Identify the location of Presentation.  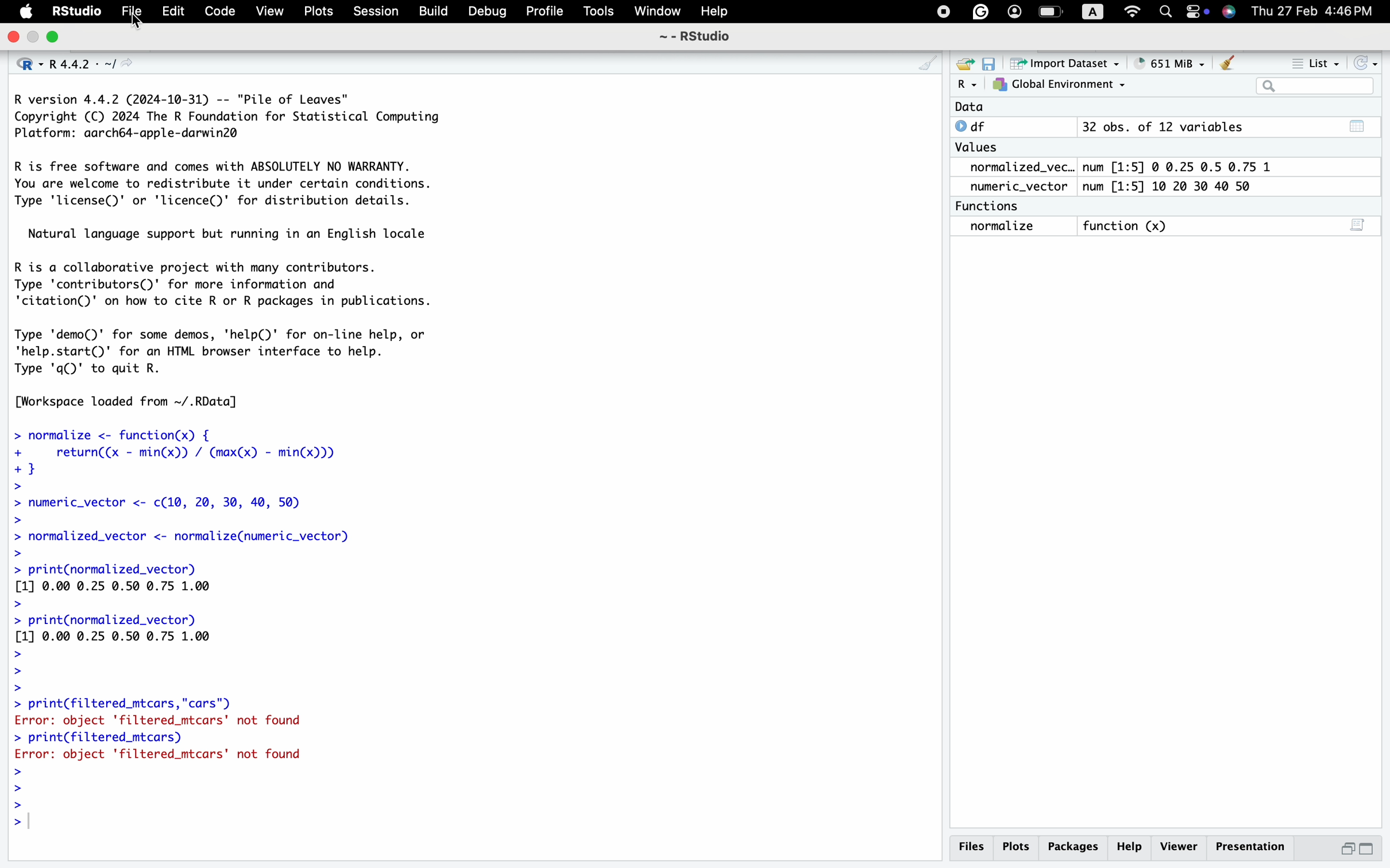
(1255, 845).